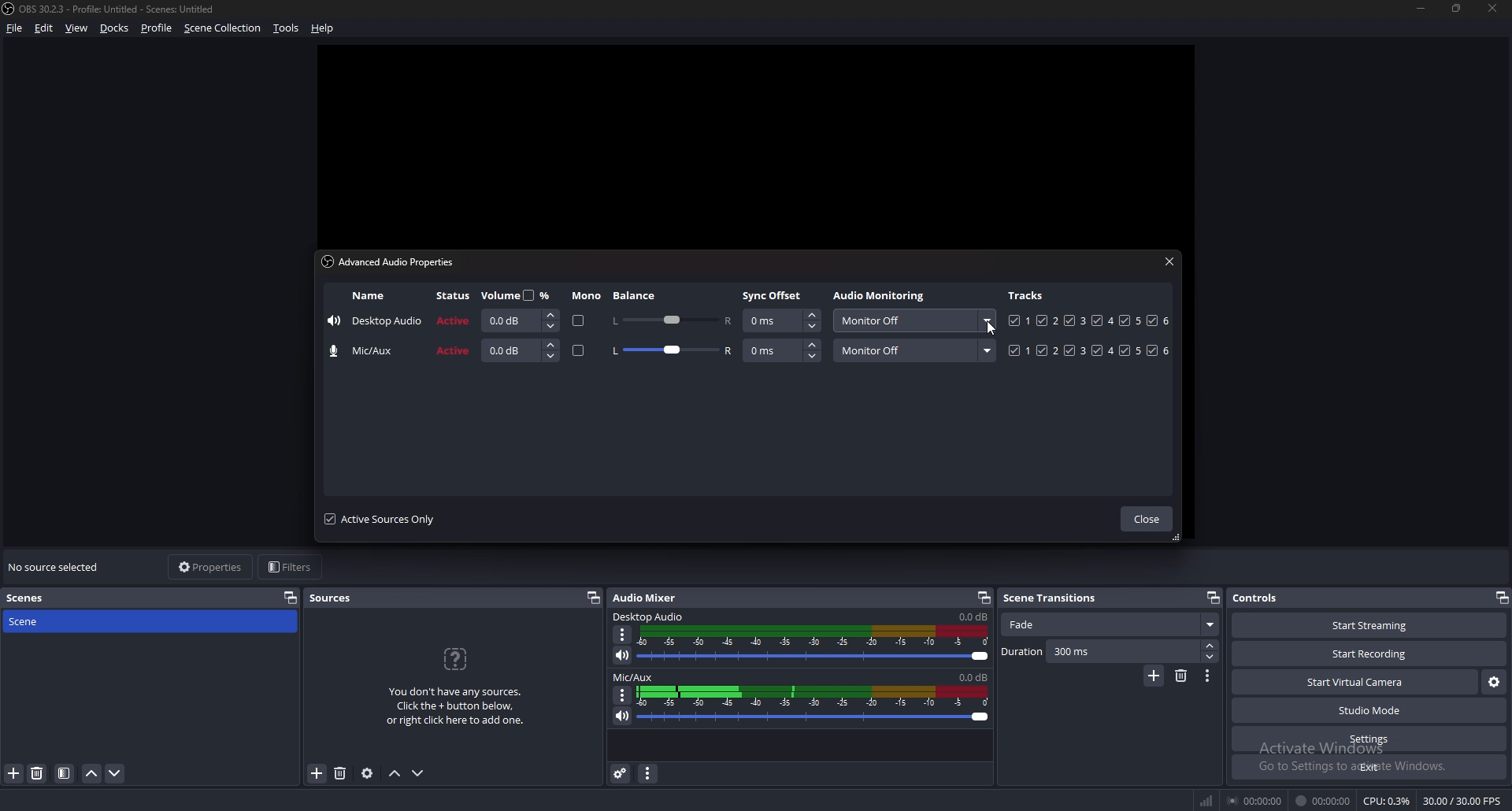 The image size is (1512, 811). What do you see at coordinates (1058, 597) in the screenshot?
I see `scene transitions` at bounding box center [1058, 597].